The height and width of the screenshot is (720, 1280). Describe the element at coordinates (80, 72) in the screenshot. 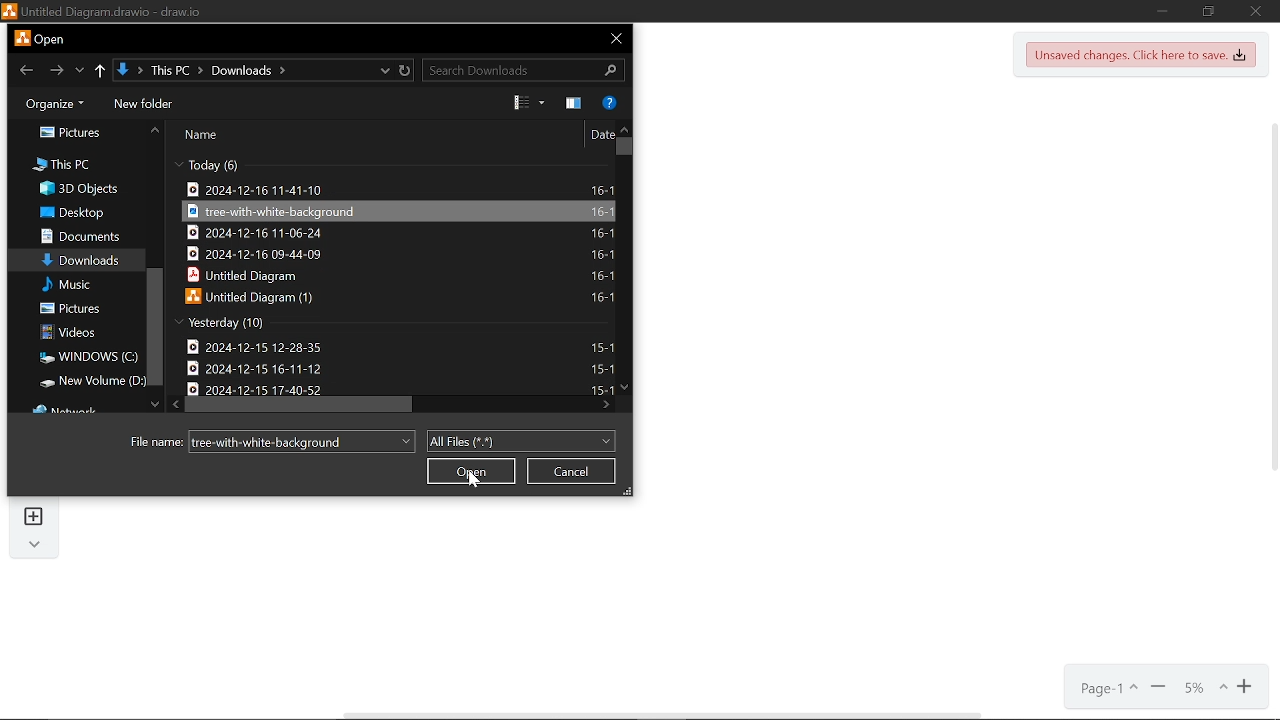

I see `Last LOcatin` at that location.